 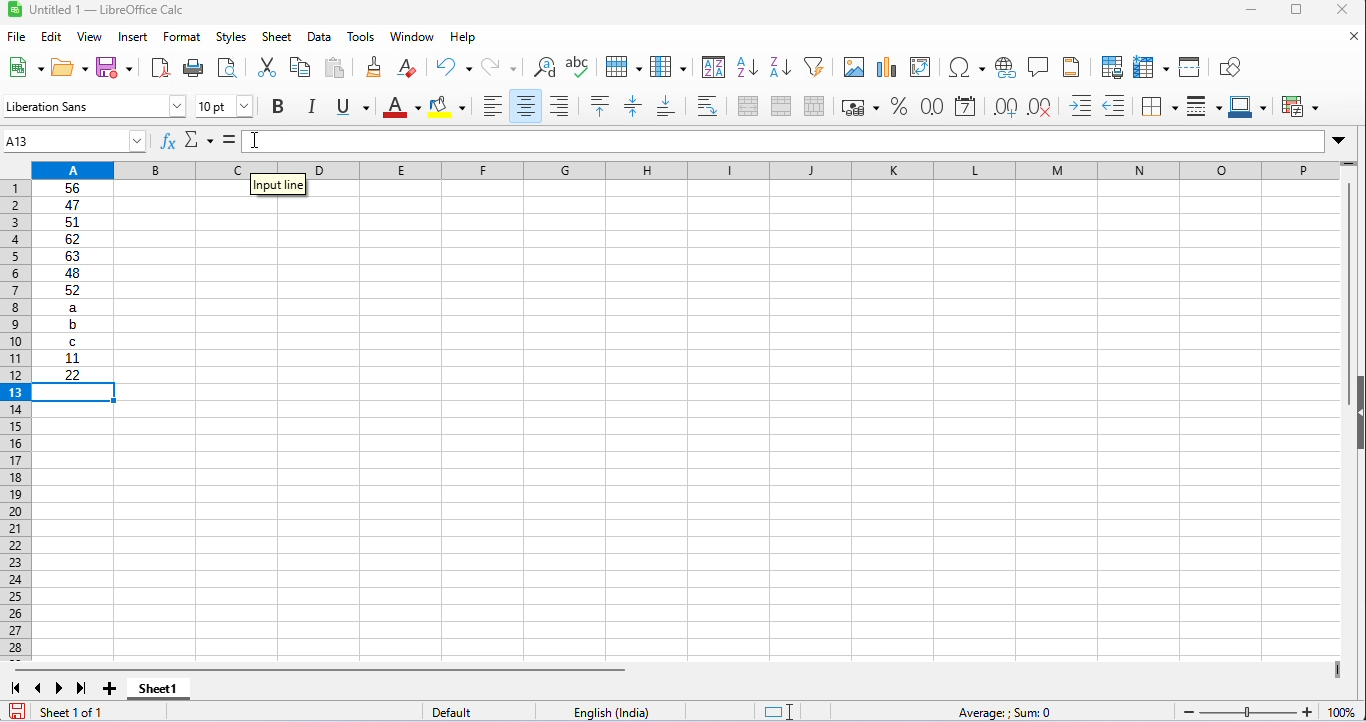 What do you see at coordinates (668, 65) in the screenshot?
I see `column` at bounding box center [668, 65].